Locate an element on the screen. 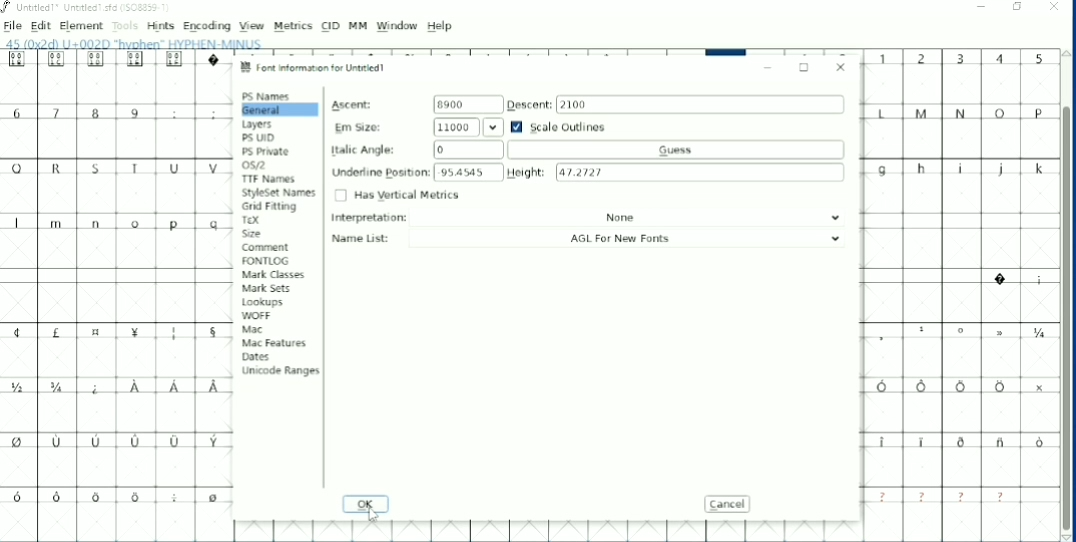  Name List is located at coordinates (592, 238).